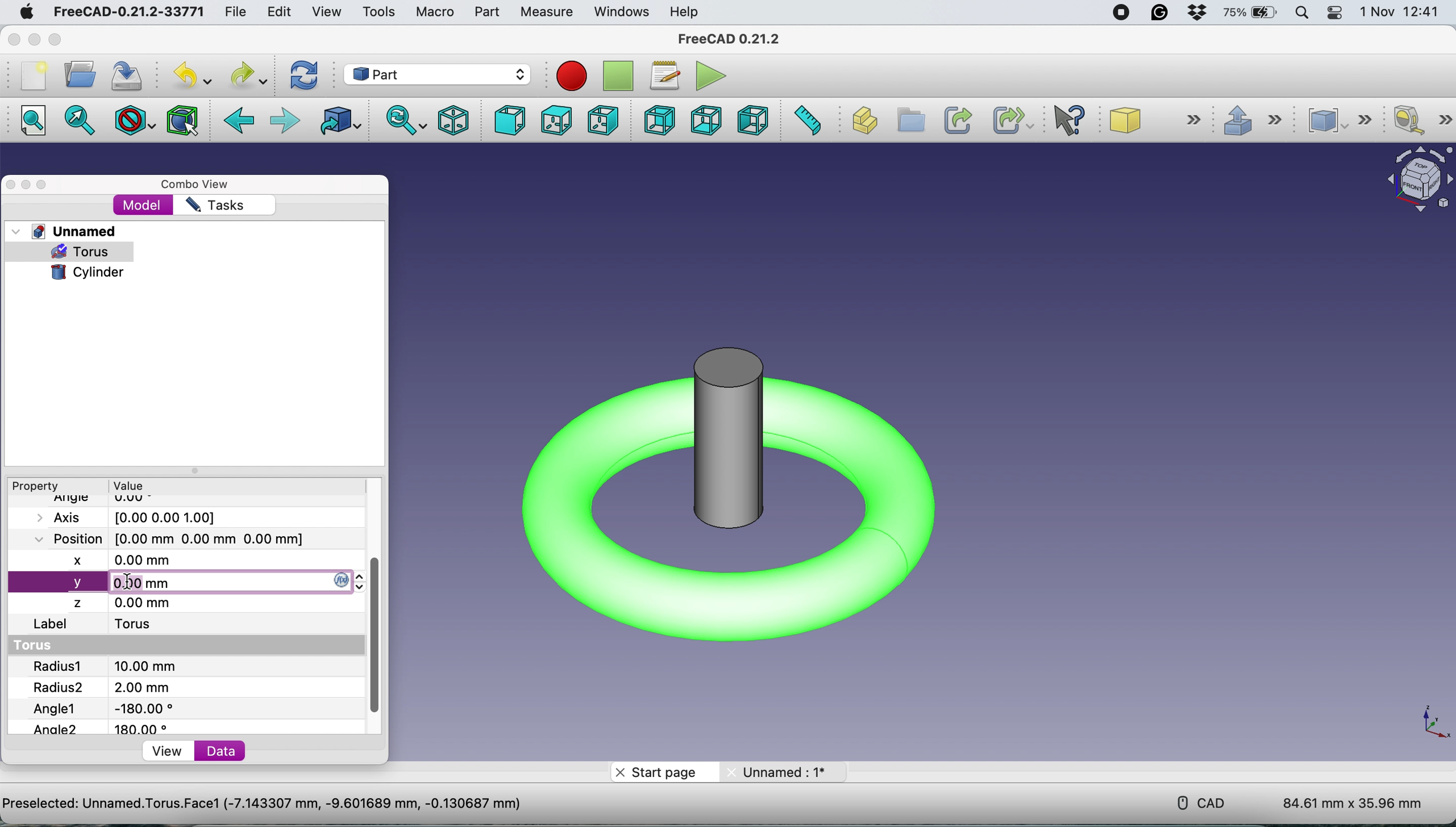  I want to click on project name, so click(294, 807).